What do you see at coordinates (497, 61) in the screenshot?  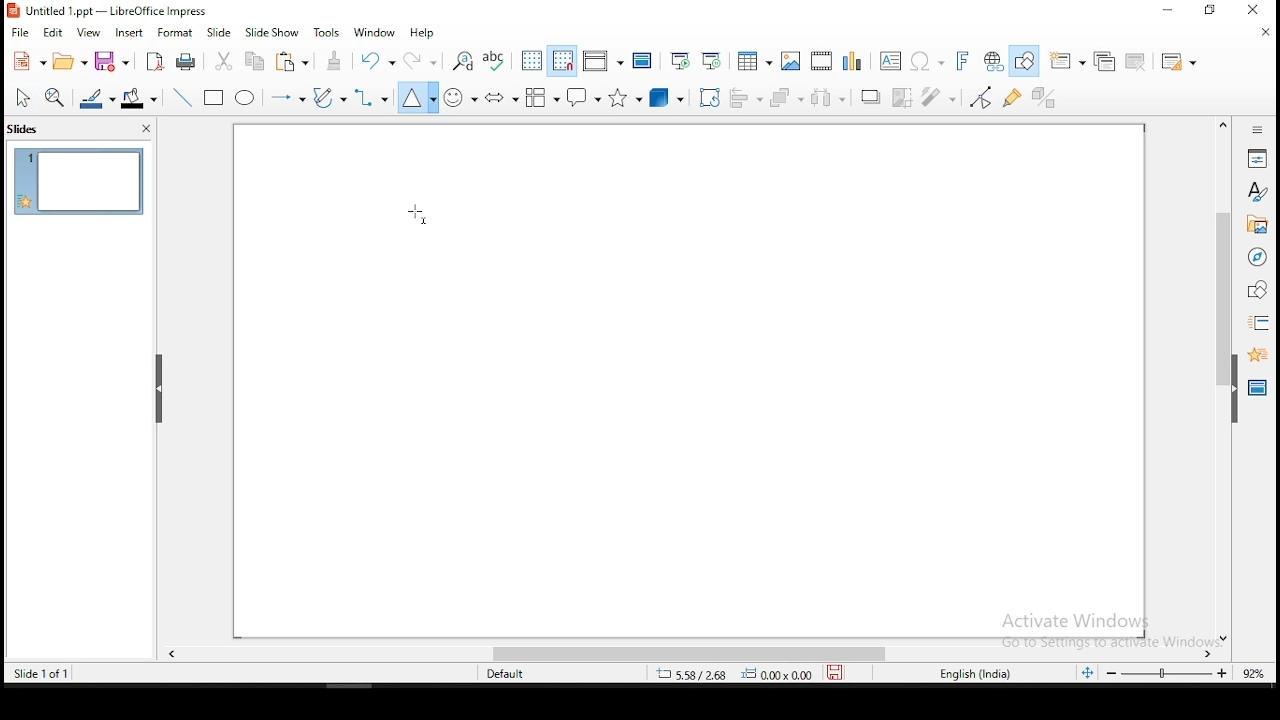 I see `spell check` at bounding box center [497, 61].